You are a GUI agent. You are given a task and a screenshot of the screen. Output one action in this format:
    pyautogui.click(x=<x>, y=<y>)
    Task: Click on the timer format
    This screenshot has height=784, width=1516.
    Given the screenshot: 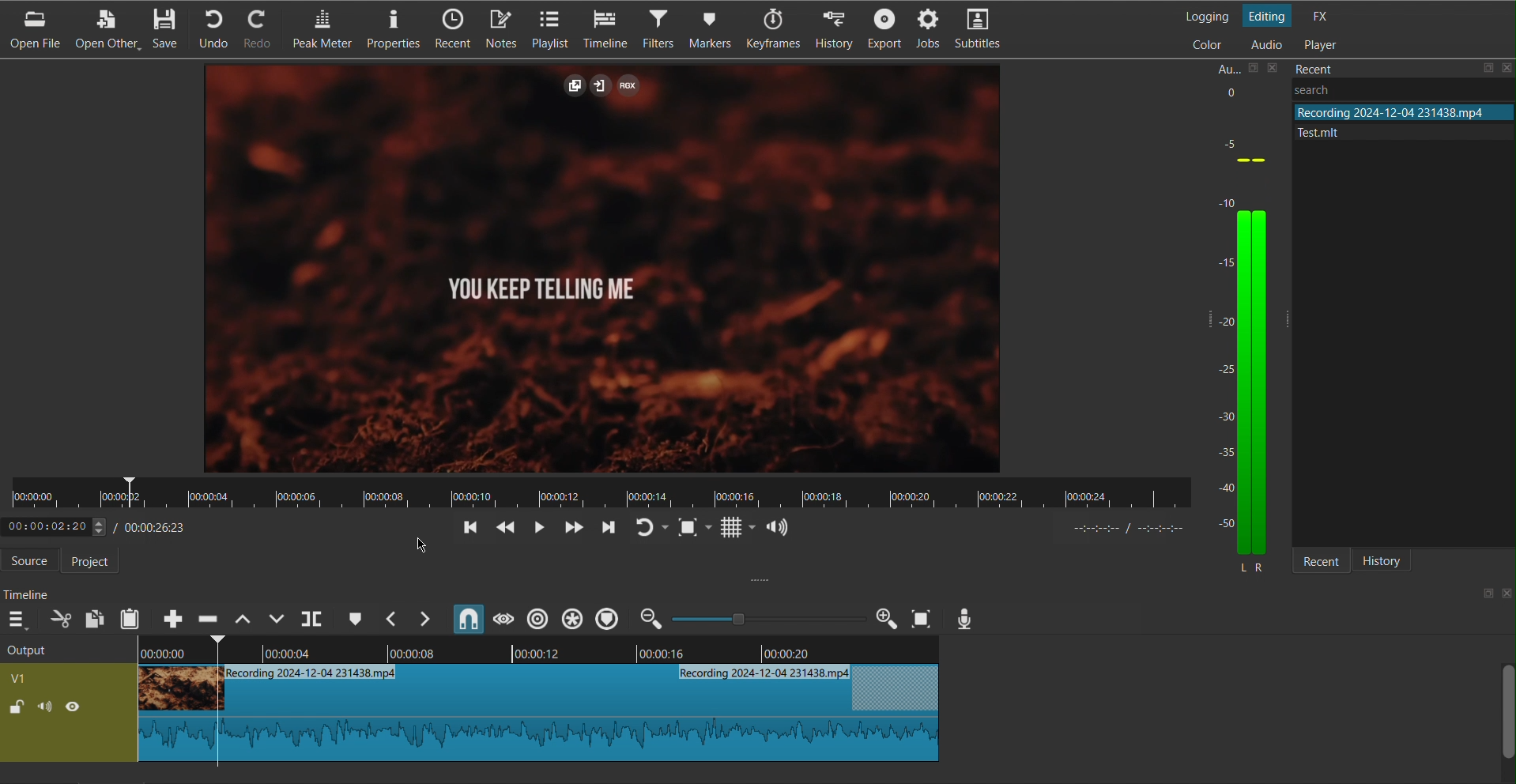 What is the action you would take?
    pyautogui.click(x=1135, y=528)
    